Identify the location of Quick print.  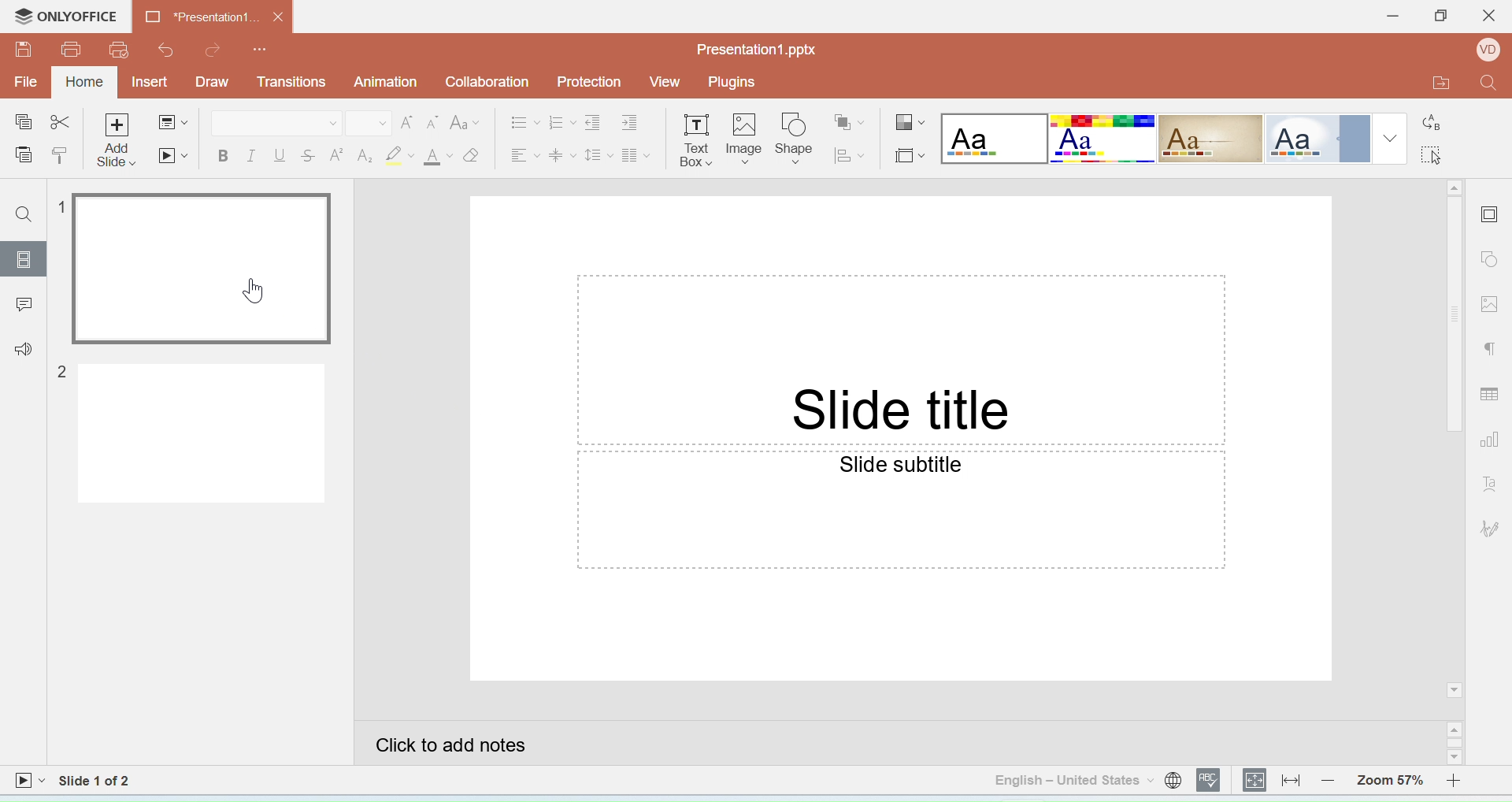
(119, 51).